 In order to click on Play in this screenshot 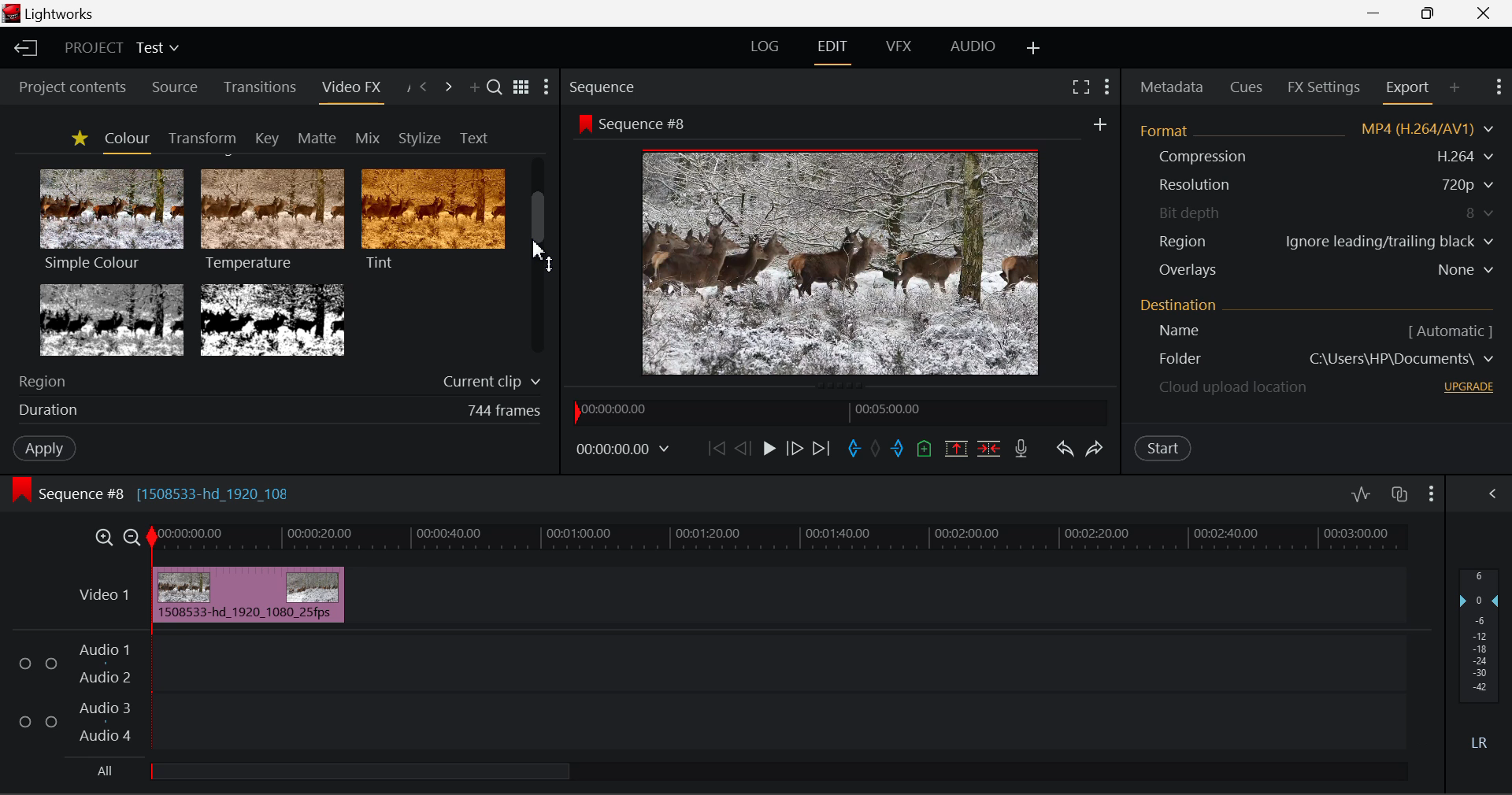, I will do `click(769, 451)`.